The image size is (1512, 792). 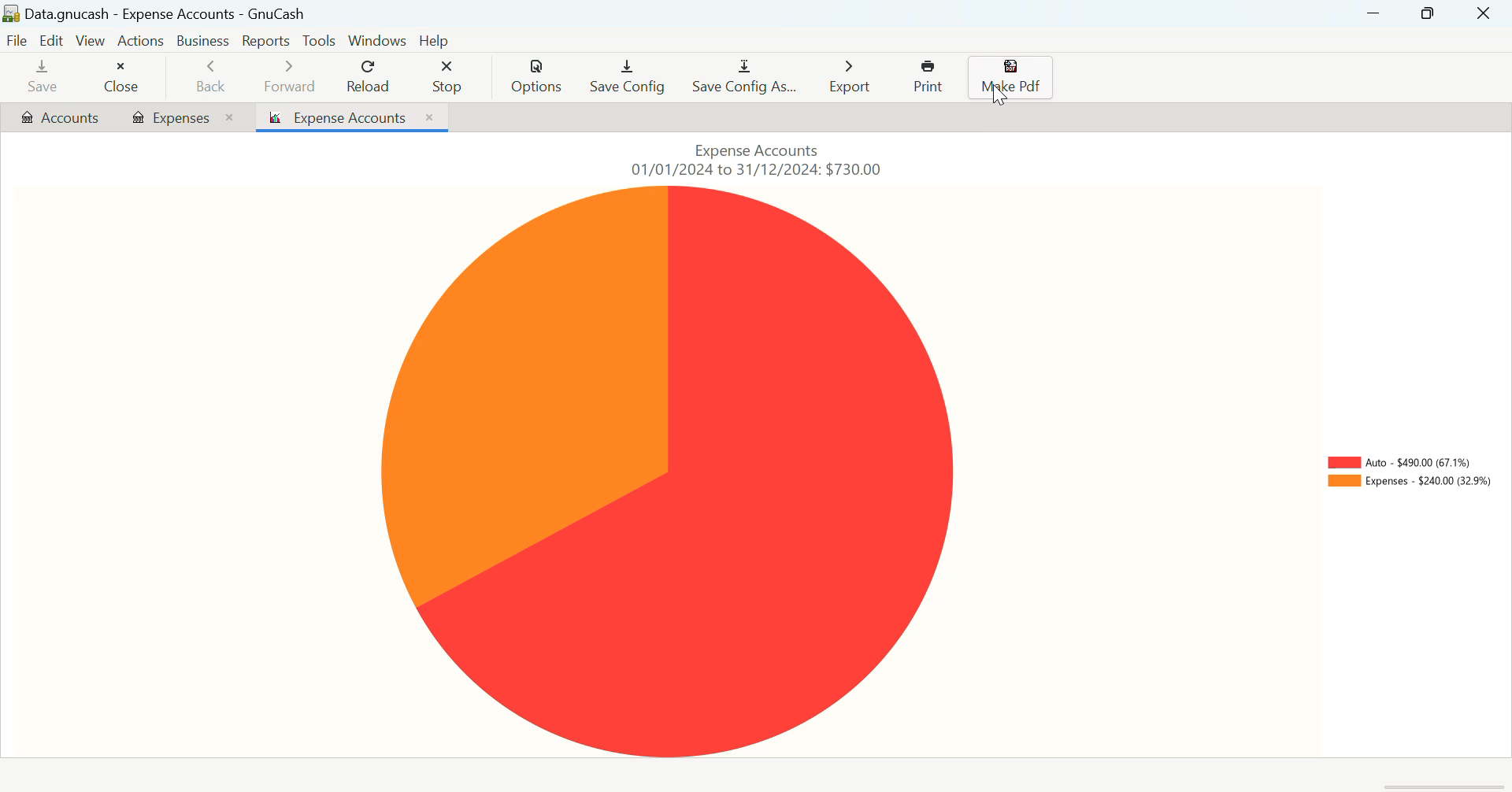 I want to click on Cursor on Make Pdf, so click(x=1000, y=98).